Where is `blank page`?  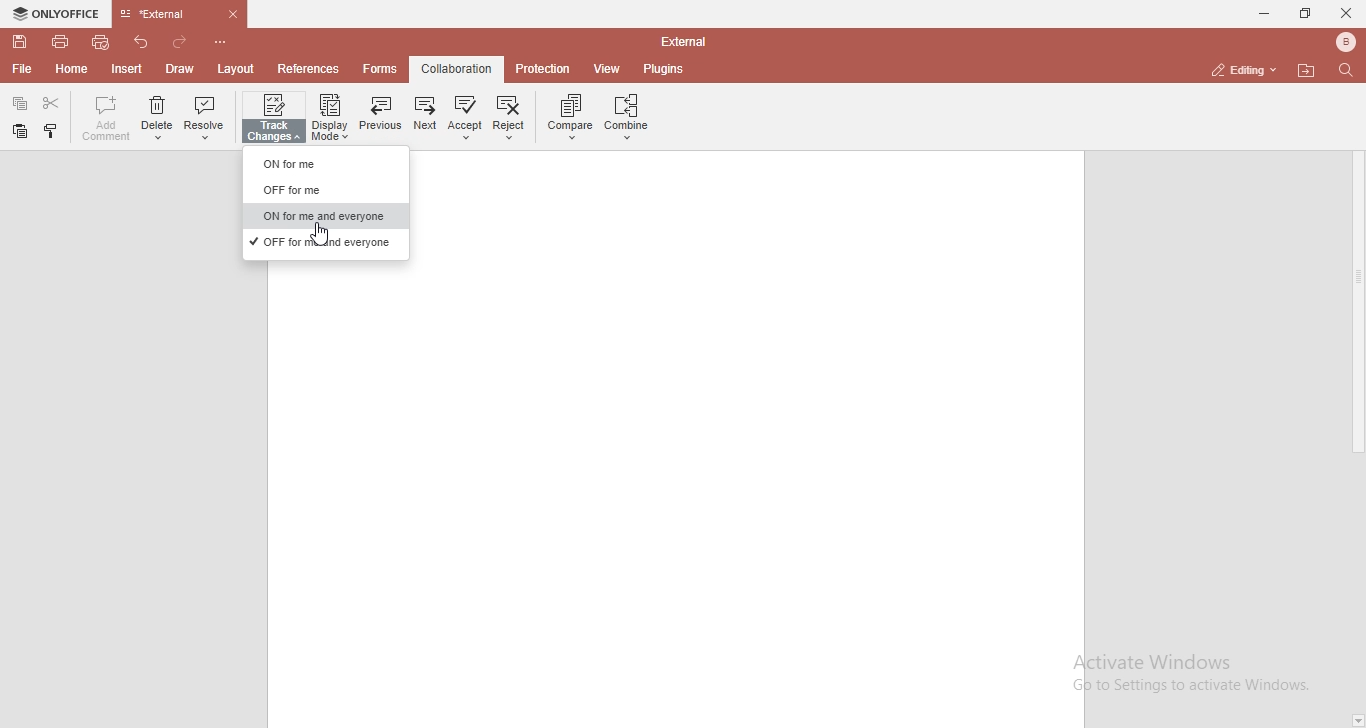 blank page is located at coordinates (674, 496).